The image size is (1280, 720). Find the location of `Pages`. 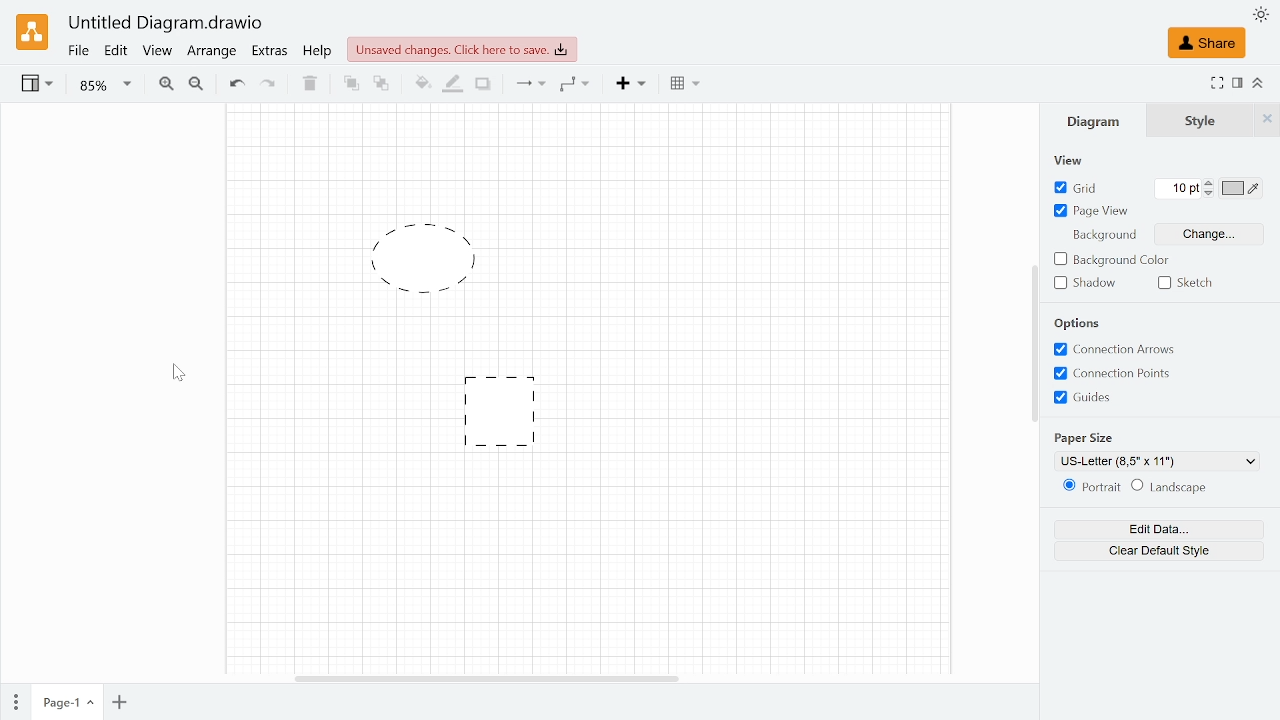

Pages is located at coordinates (14, 700).